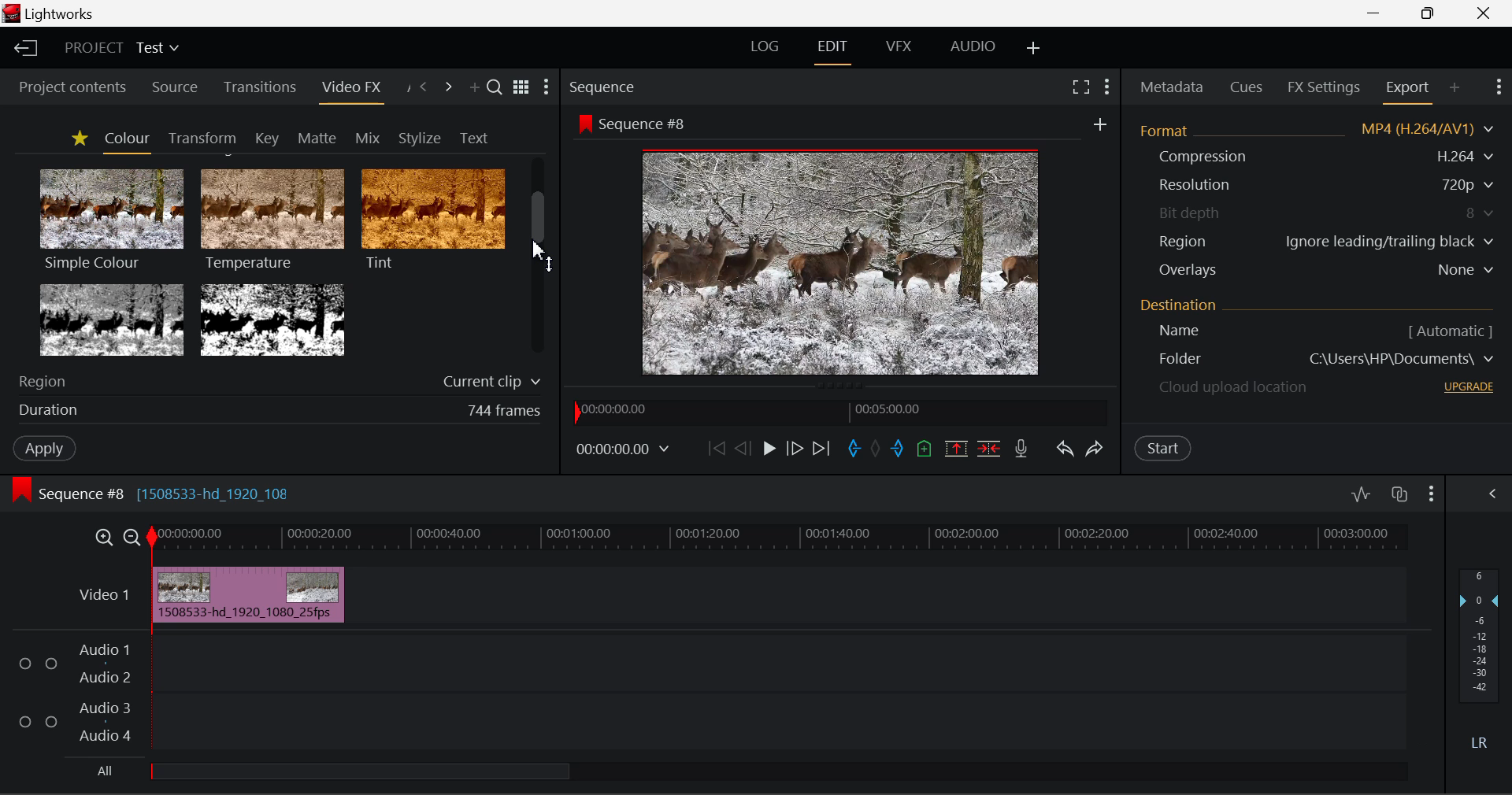 Image resolution: width=1512 pixels, height=795 pixels. Describe the element at coordinates (1432, 492) in the screenshot. I see `Show Settings` at that location.